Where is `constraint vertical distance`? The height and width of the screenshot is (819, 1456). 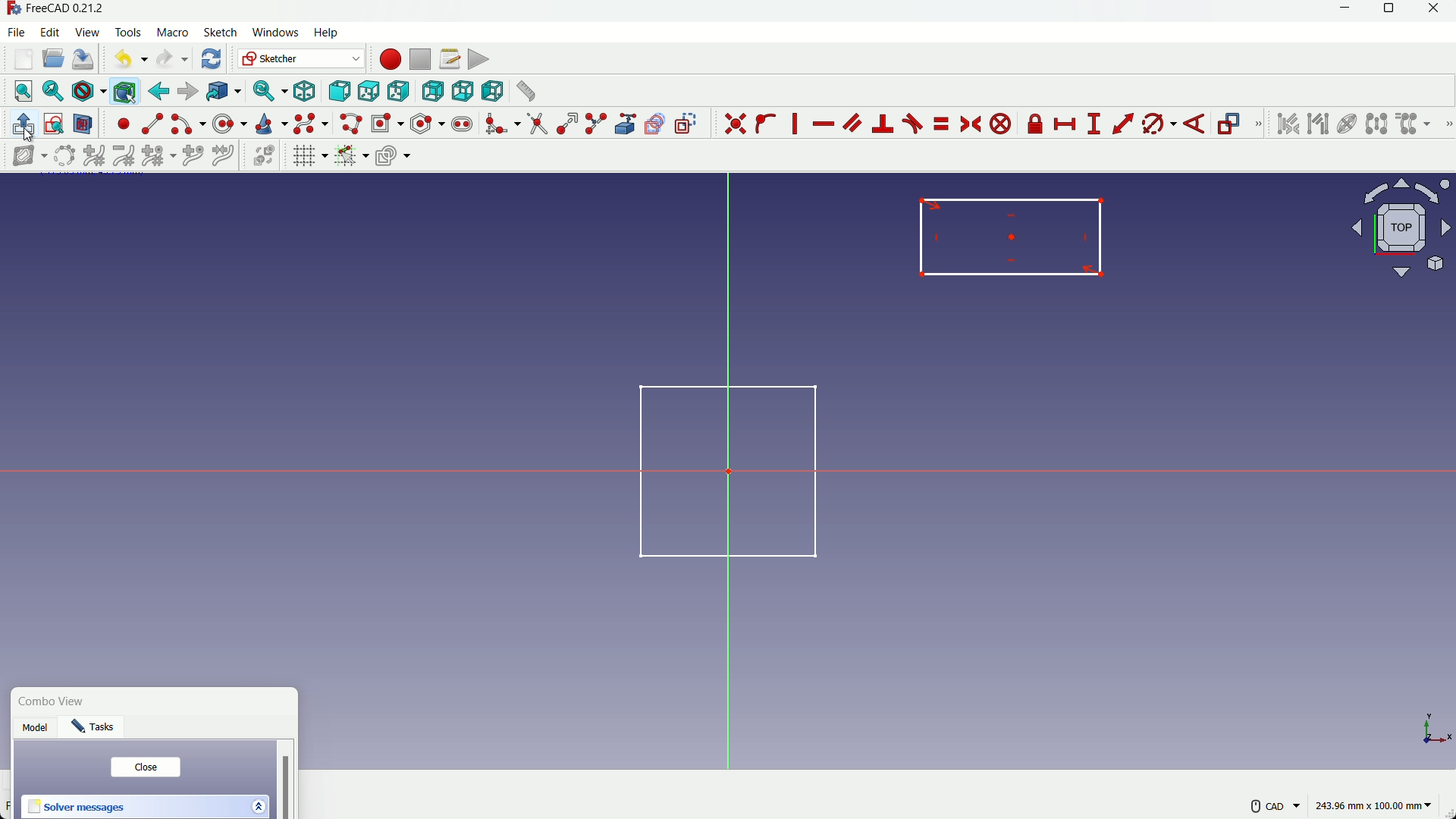
constraint vertical distance is located at coordinates (1094, 124).